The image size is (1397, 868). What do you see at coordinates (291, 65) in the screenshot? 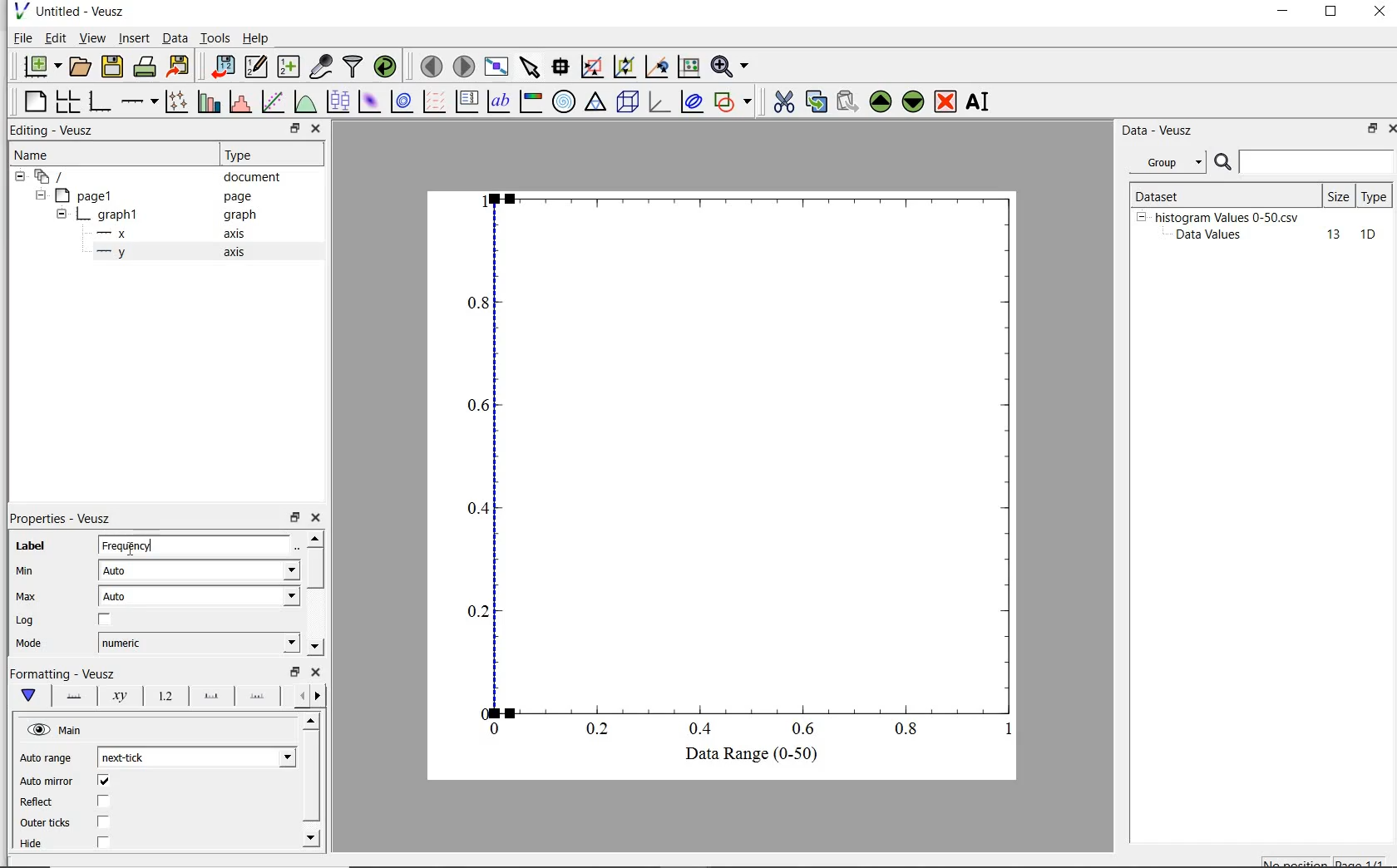
I see `create new datasets using ranges, parametrically or as functions of existing datasets` at bounding box center [291, 65].